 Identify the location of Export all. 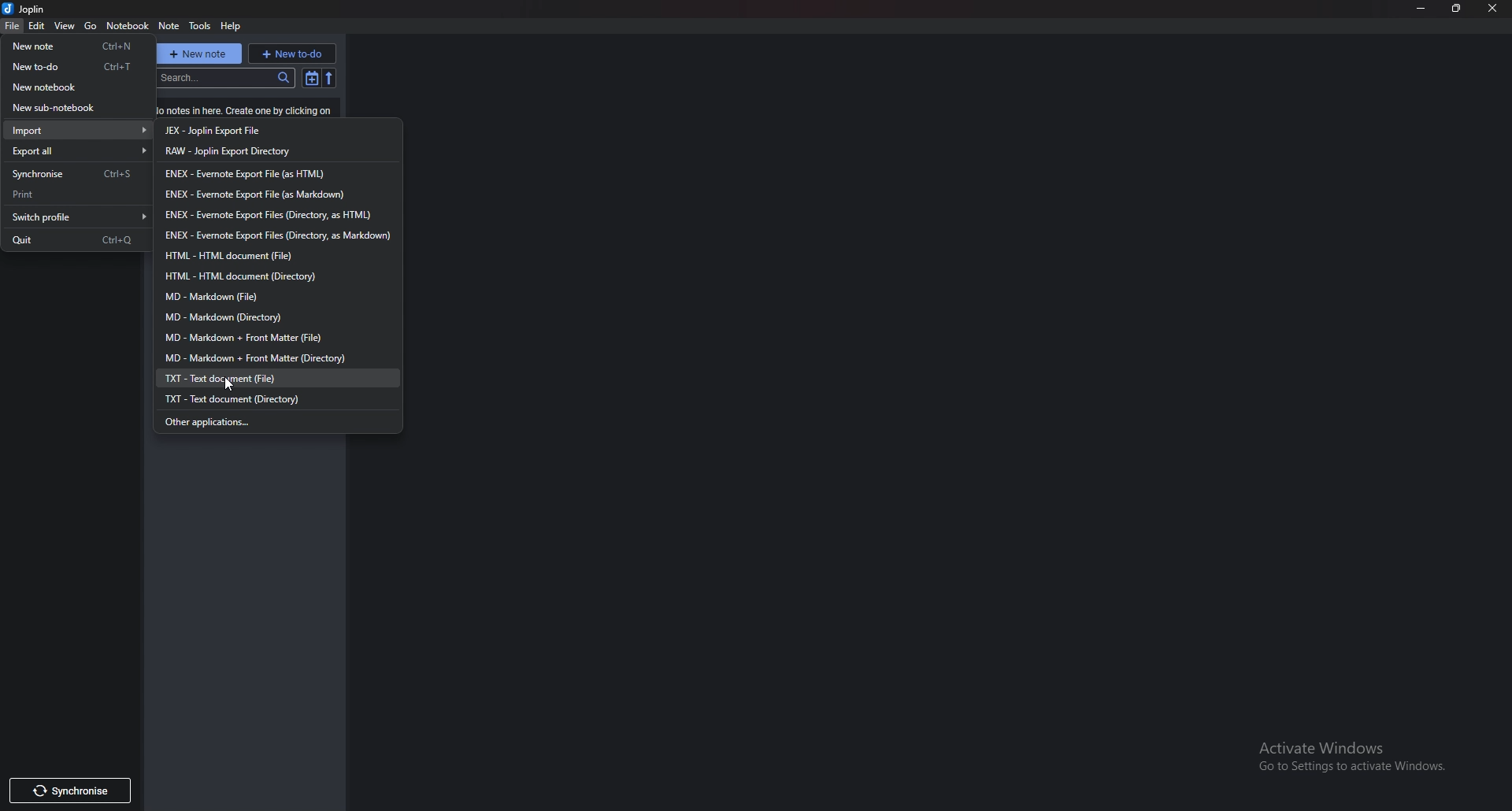
(79, 151).